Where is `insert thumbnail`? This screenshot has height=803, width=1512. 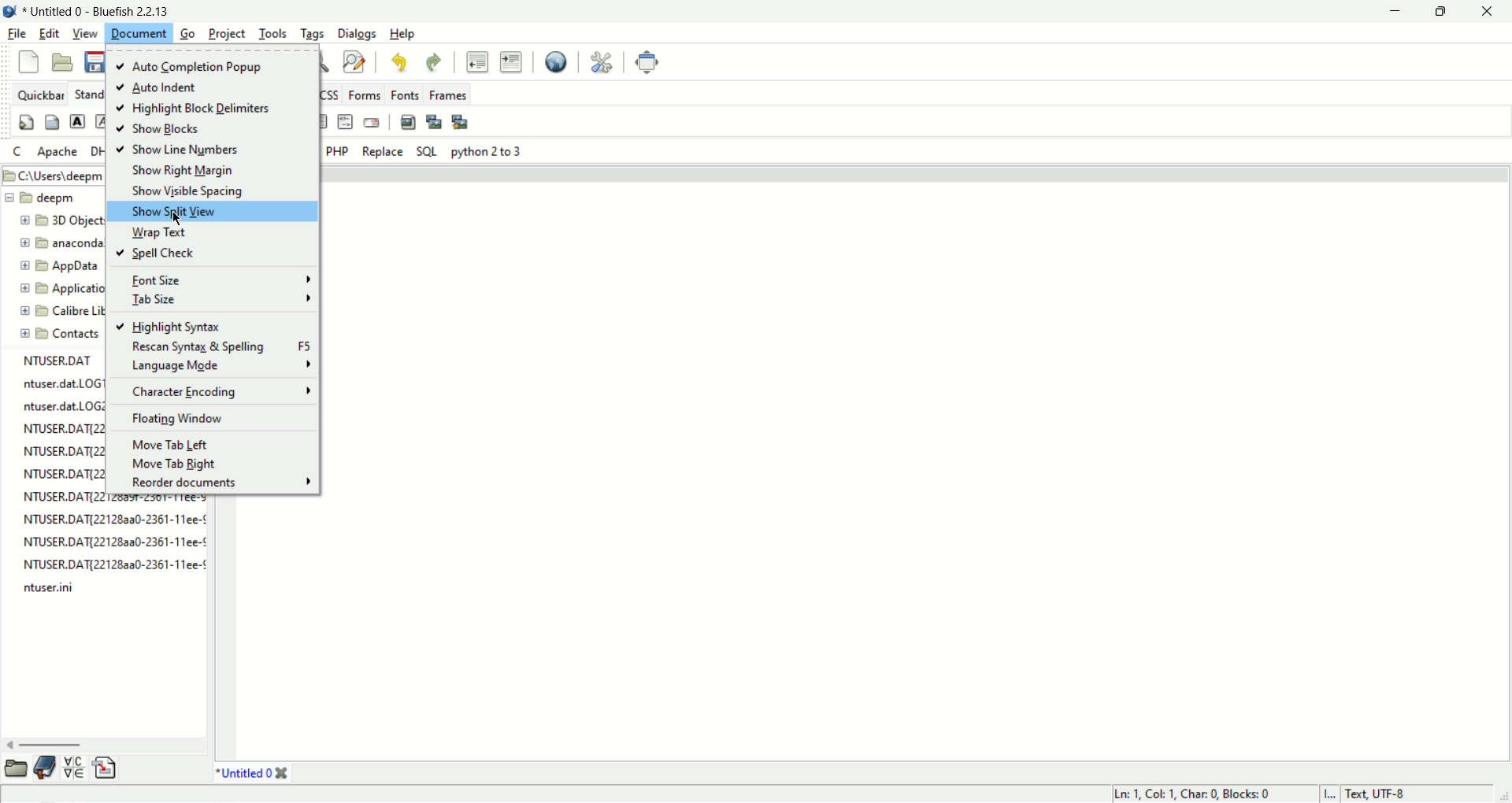
insert thumbnail is located at coordinates (432, 121).